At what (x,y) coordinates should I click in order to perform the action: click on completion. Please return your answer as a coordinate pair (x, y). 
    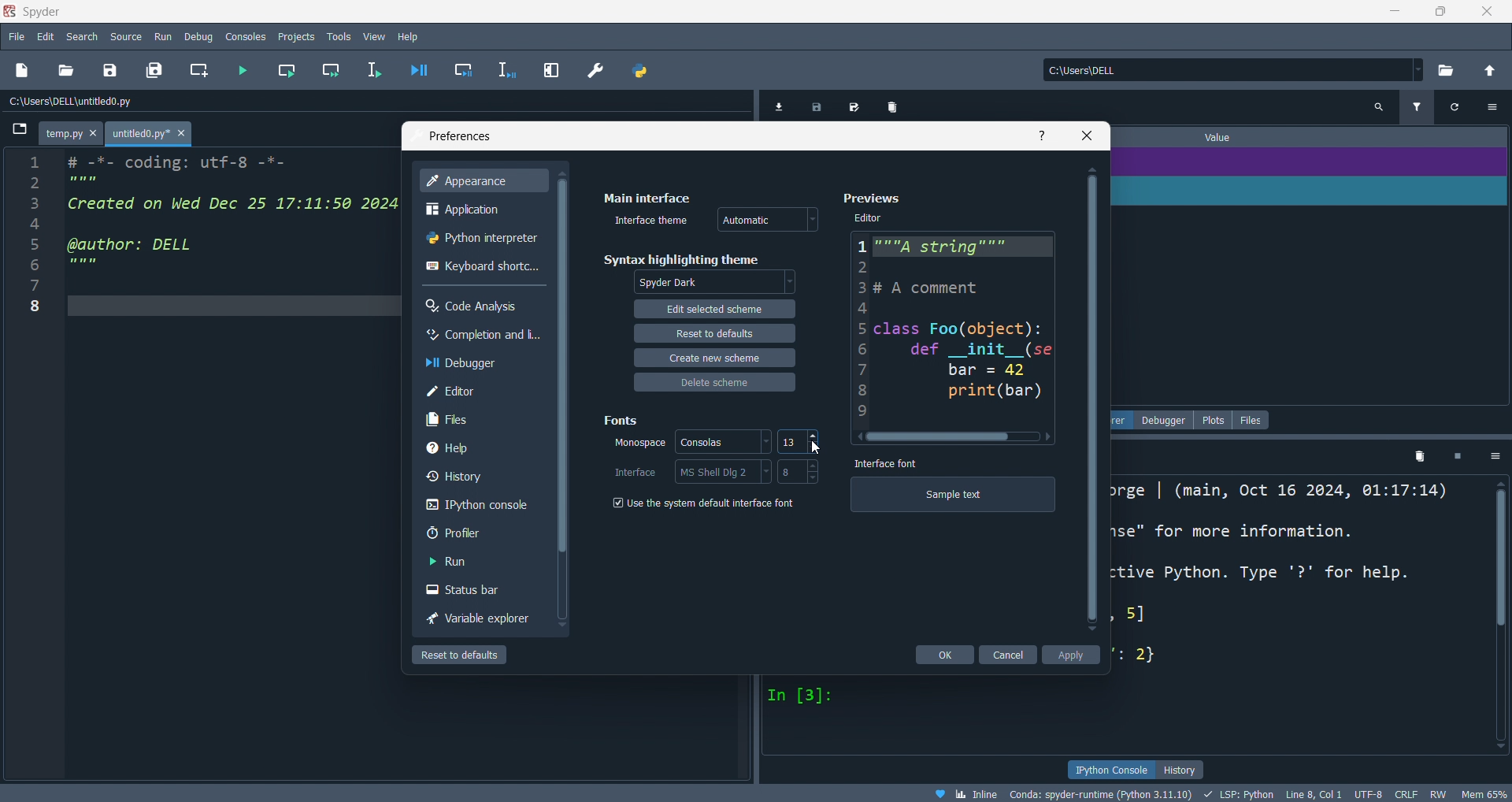
    Looking at the image, I should click on (484, 334).